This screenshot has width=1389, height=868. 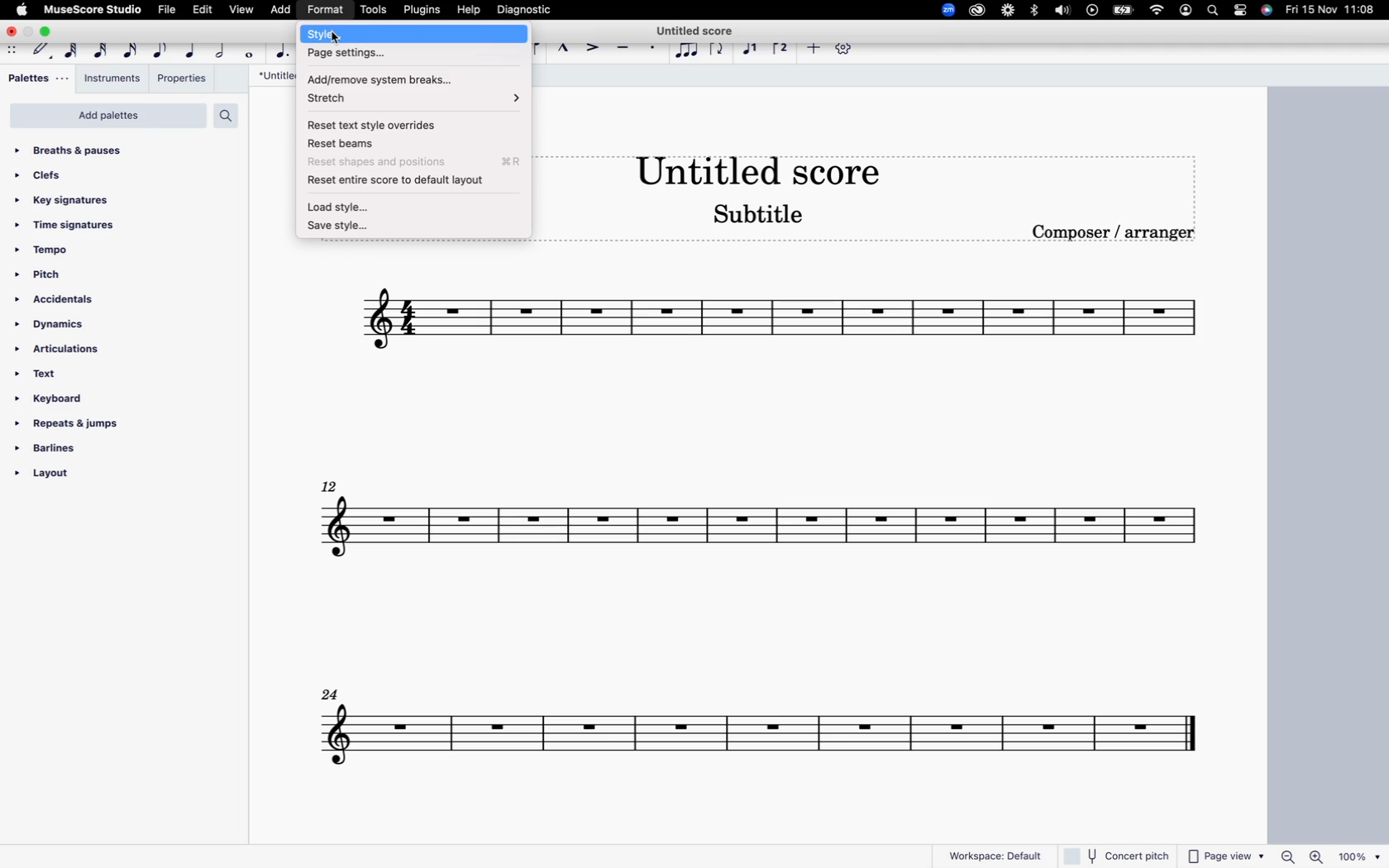 I want to click on profile, so click(x=1186, y=17).